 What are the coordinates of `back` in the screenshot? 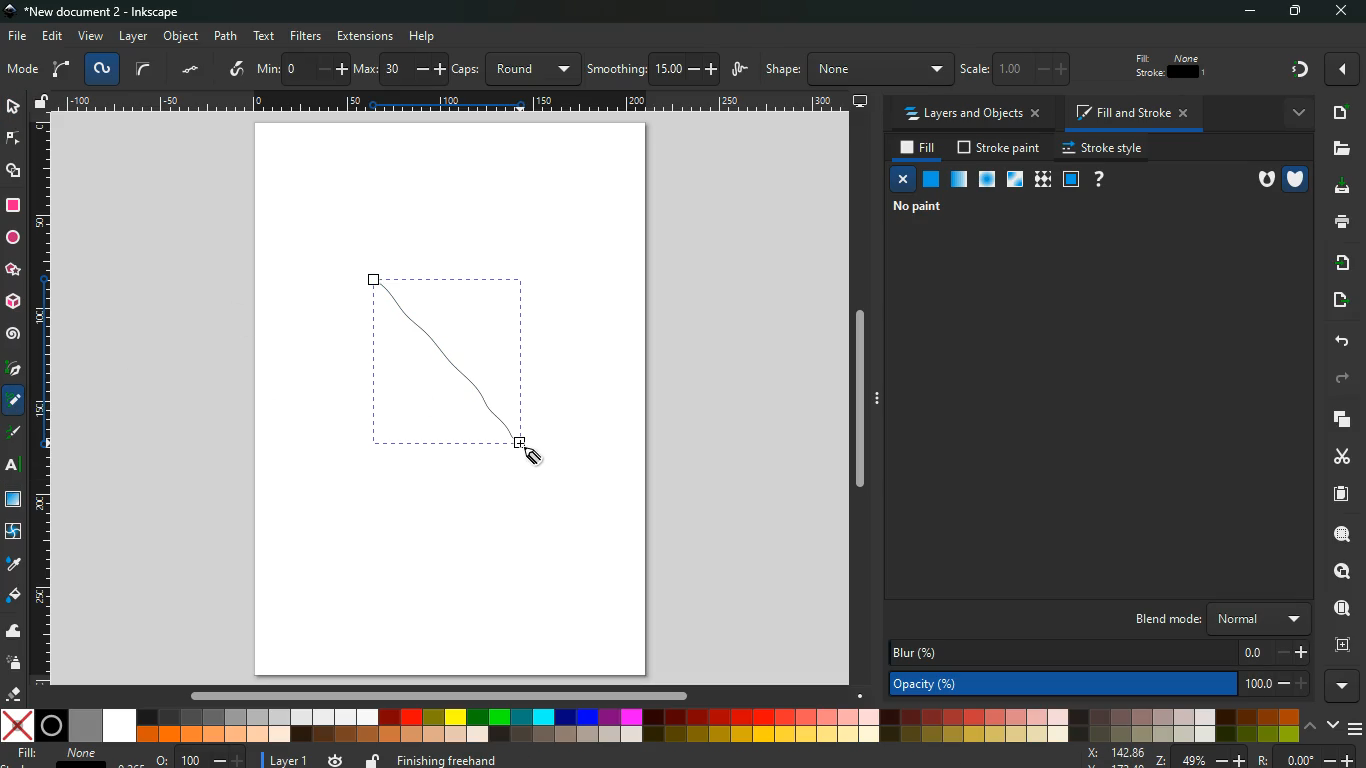 It's located at (1340, 342).